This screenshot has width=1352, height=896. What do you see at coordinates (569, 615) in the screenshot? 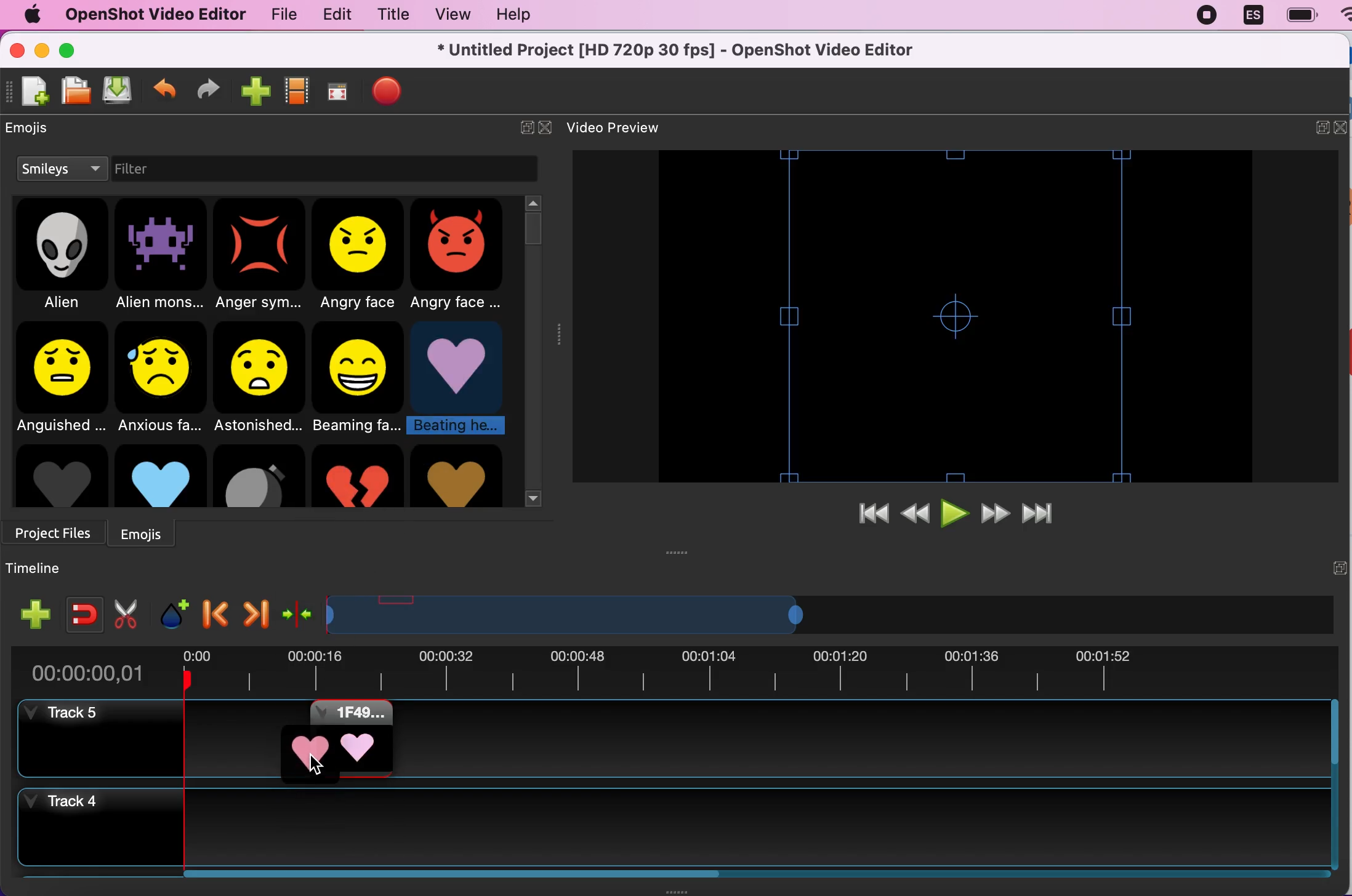
I see `Expand/Shrink timeline view` at bounding box center [569, 615].